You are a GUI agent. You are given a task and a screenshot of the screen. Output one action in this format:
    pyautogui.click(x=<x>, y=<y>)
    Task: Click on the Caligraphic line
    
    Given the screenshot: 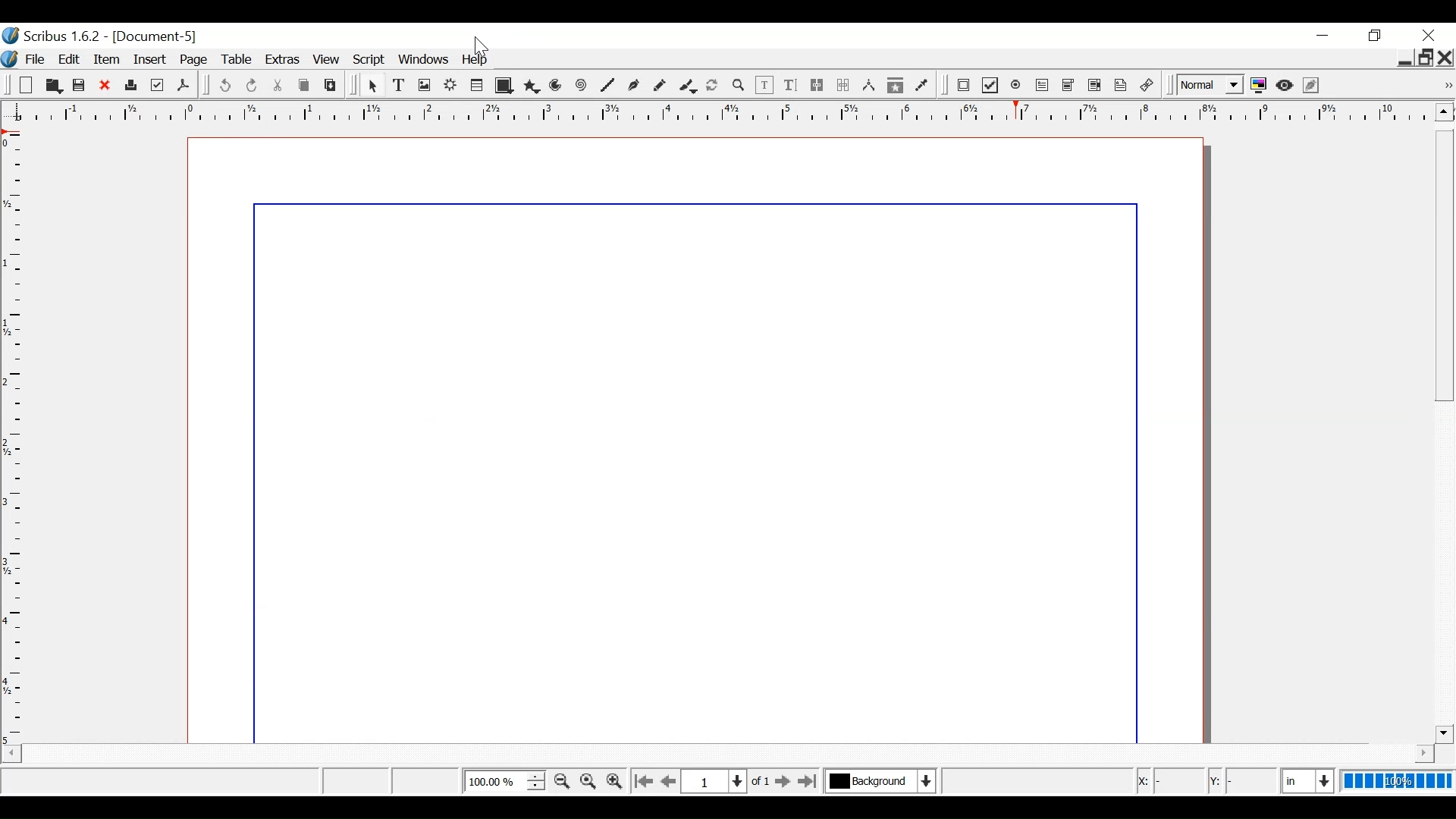 What is the action you would take?
    pyautogui.click(x=686, y=86)
    